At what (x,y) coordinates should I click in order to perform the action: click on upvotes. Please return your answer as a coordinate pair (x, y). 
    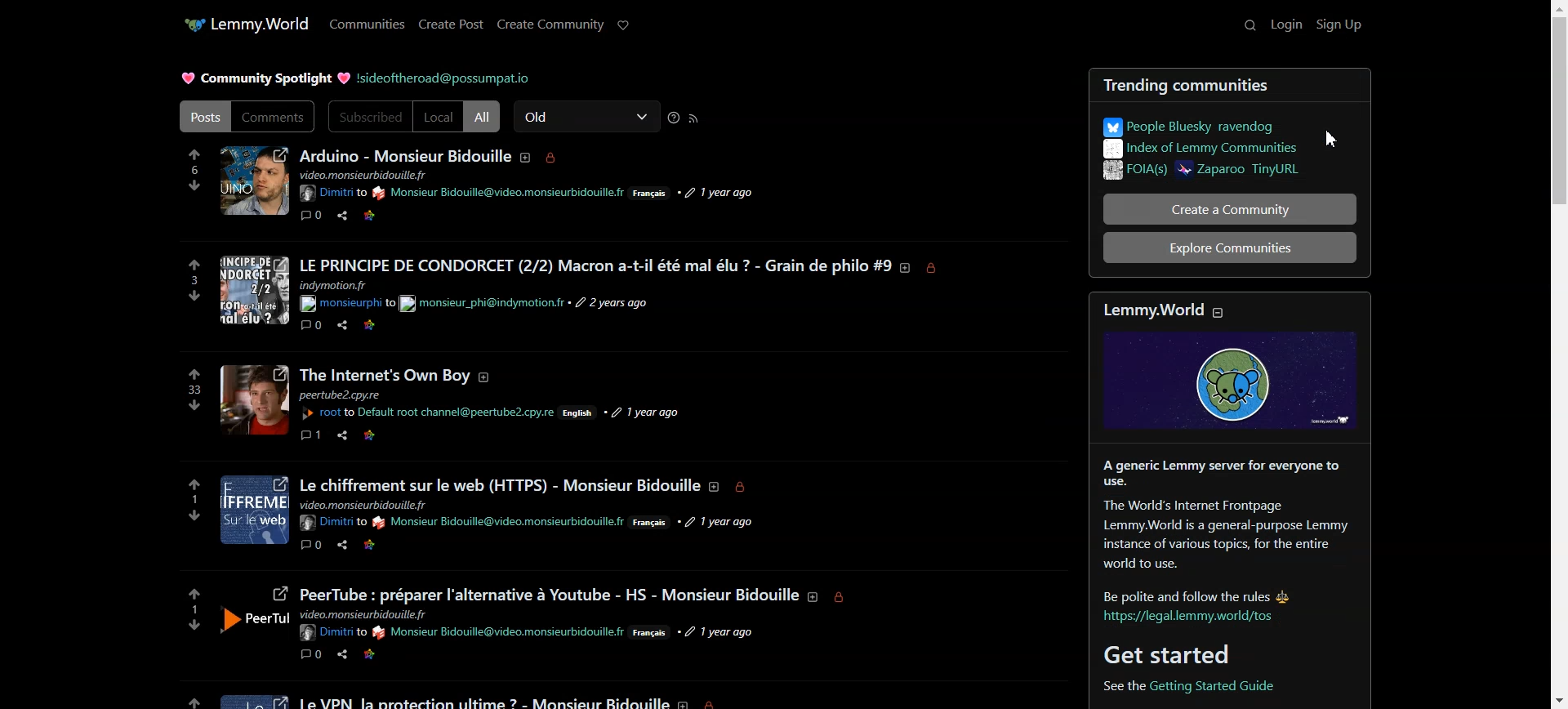
    Looking at the image, I should click on (188, 263).